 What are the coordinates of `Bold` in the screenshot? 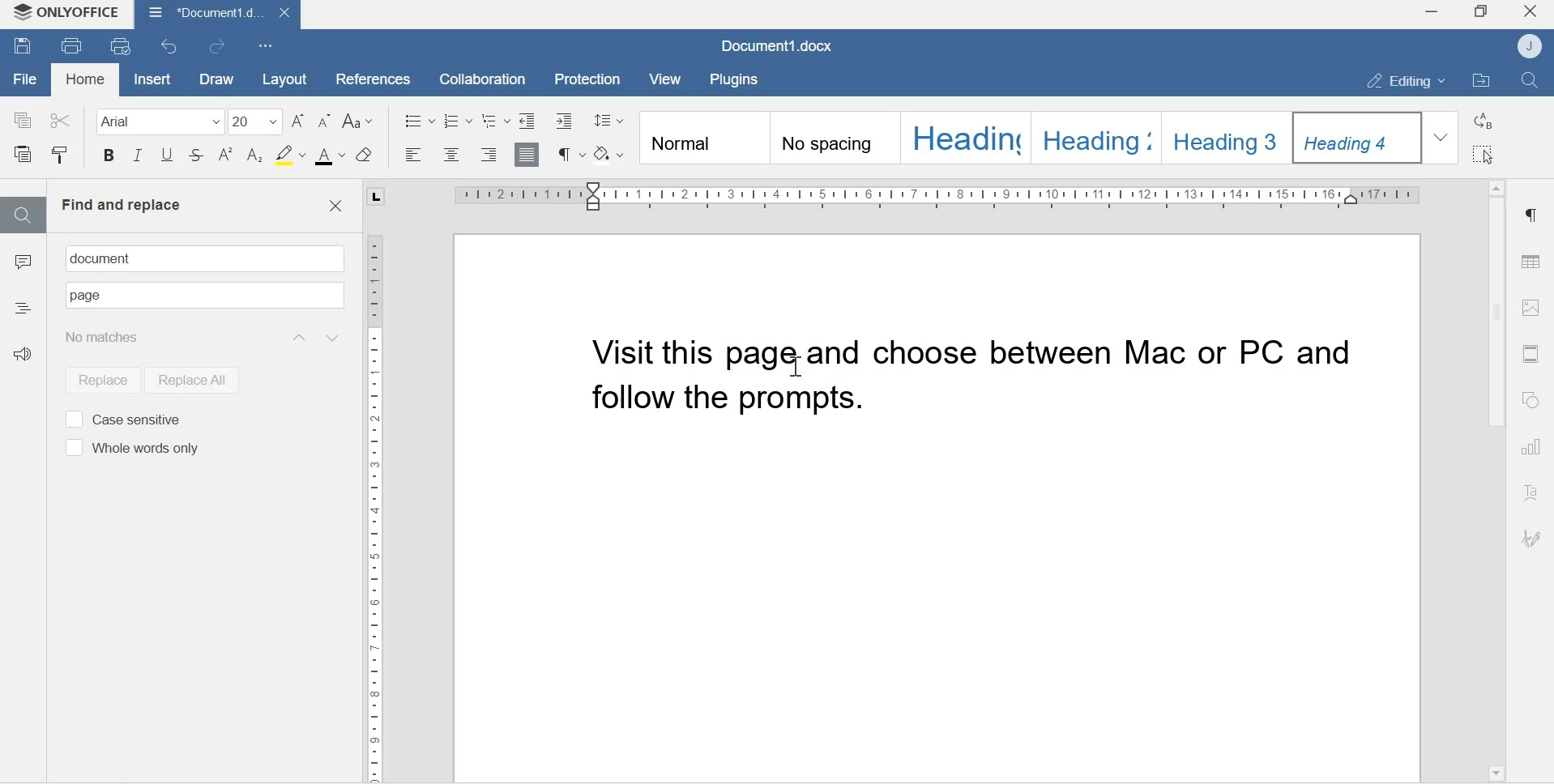 It's located at (109, 158).